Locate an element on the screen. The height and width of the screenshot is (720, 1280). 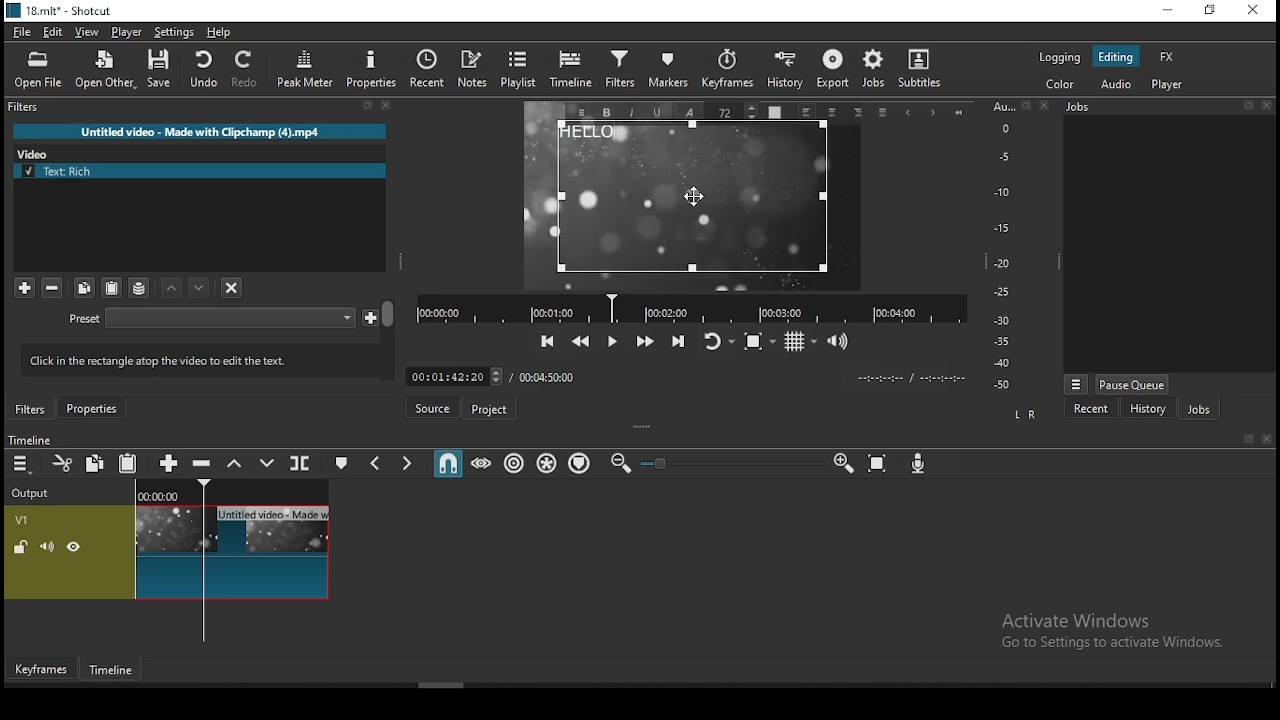
total time is located at coordinates (550, 376).